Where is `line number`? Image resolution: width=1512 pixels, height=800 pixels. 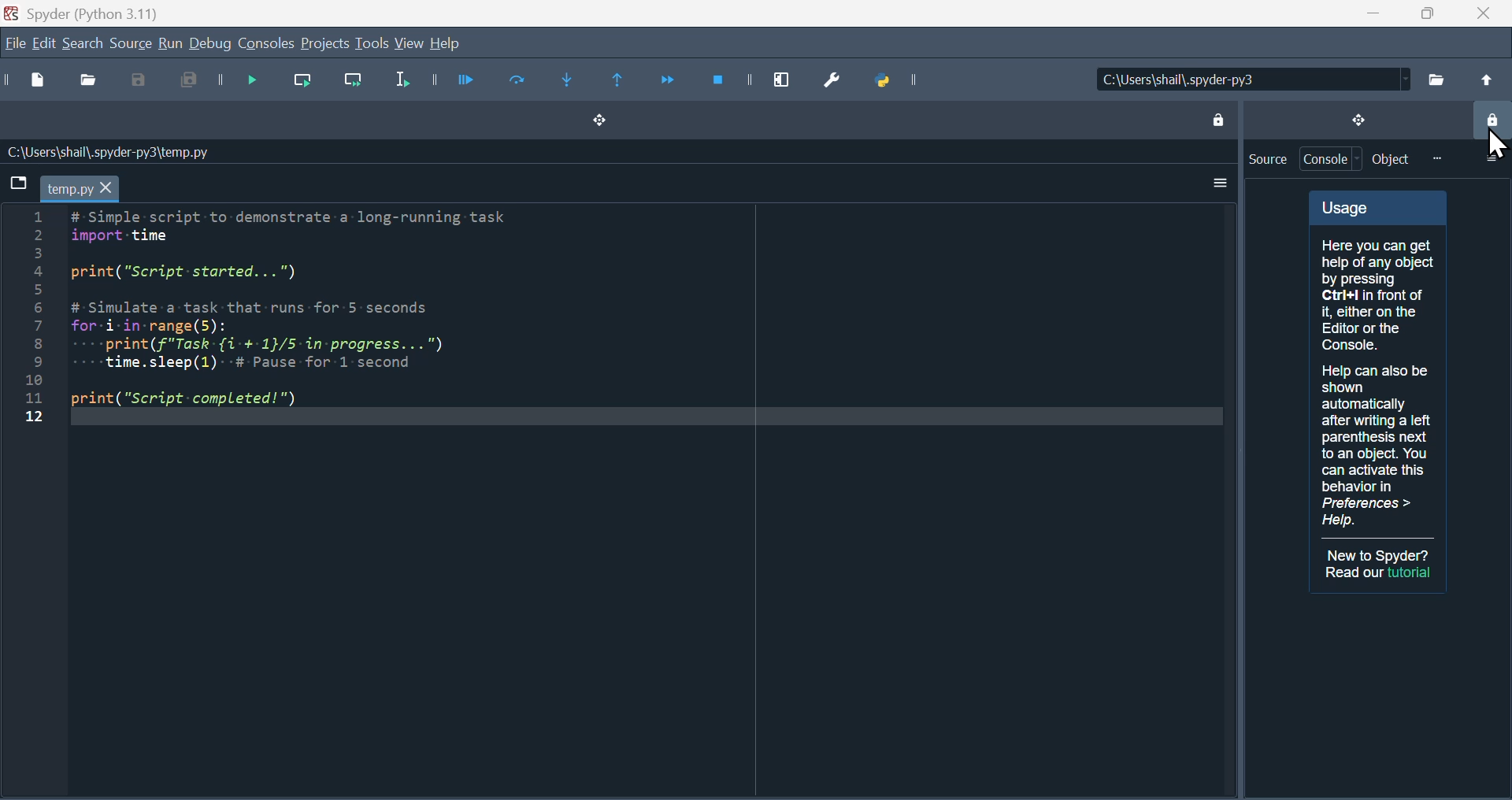 line number is located at coordinates (33, 317).